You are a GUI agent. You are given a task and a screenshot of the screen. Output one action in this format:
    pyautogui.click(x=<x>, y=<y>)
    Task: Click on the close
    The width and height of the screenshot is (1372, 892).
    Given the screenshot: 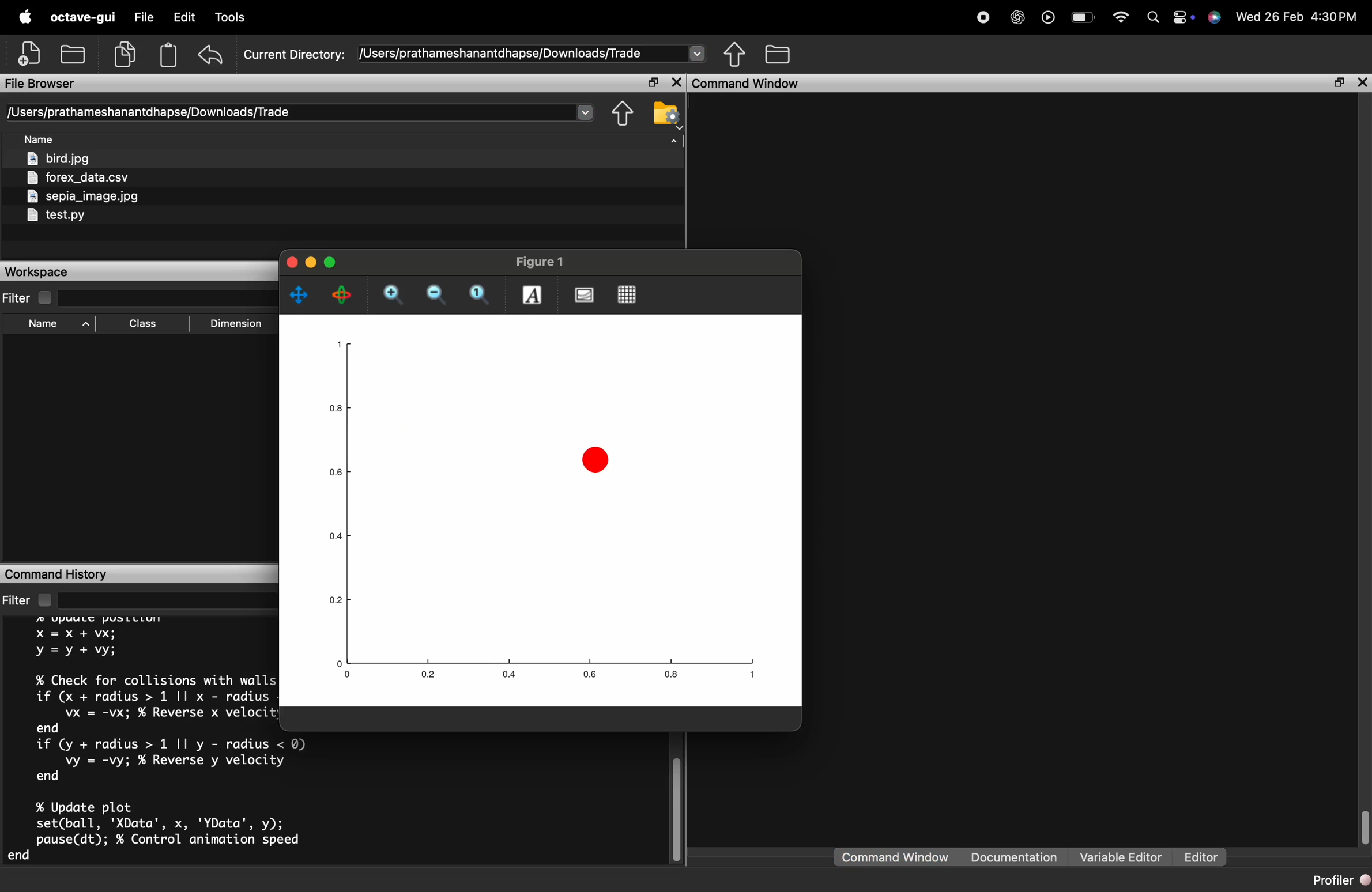 What is the action you would take?
    pyautogui.click(x=1361, y=82)
    